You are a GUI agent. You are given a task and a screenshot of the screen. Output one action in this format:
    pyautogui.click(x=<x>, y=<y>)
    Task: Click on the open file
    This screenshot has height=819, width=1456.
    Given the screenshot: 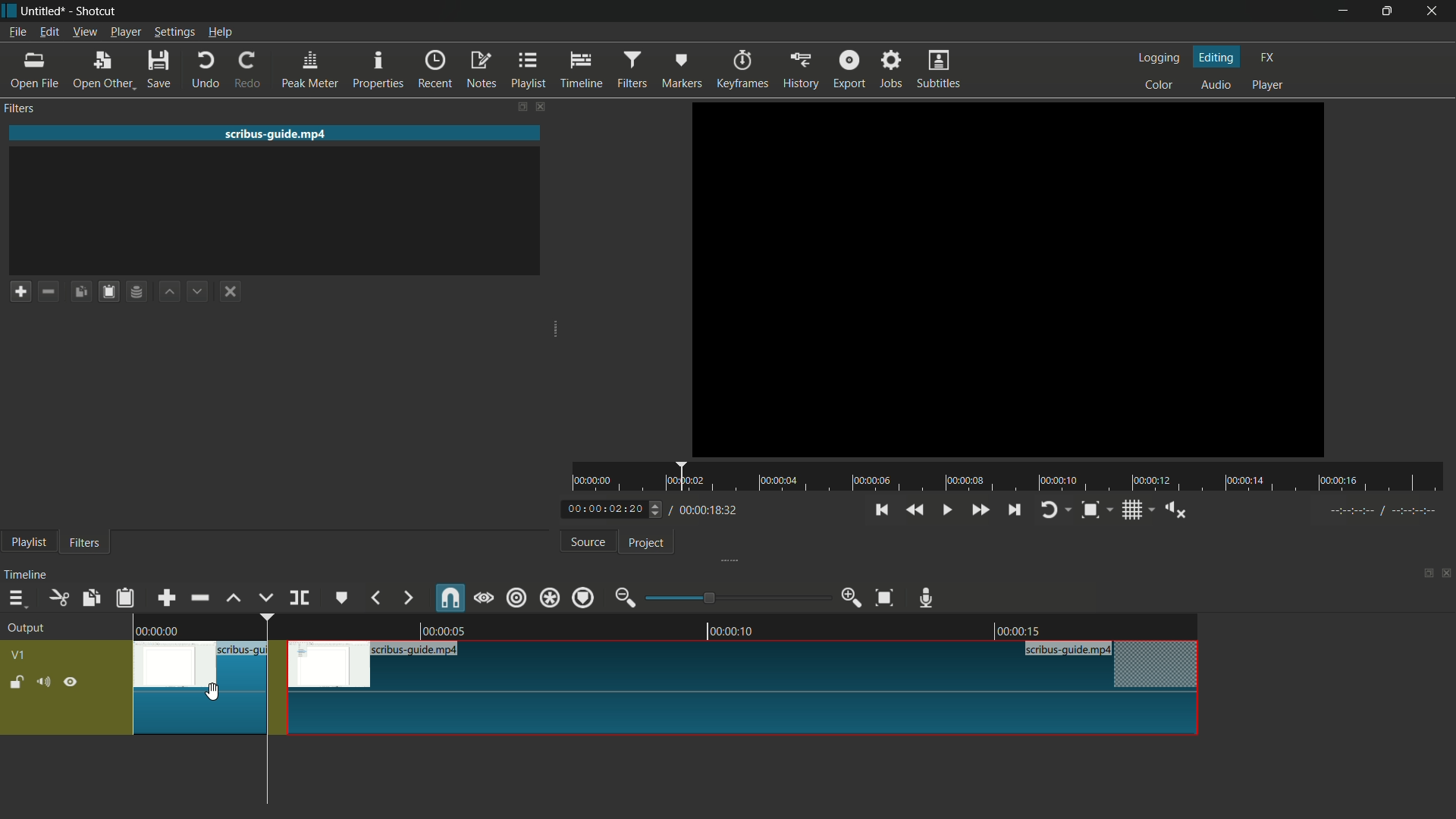 What is the action you would take?
    pyautogui.click(x=31, y=69)
    